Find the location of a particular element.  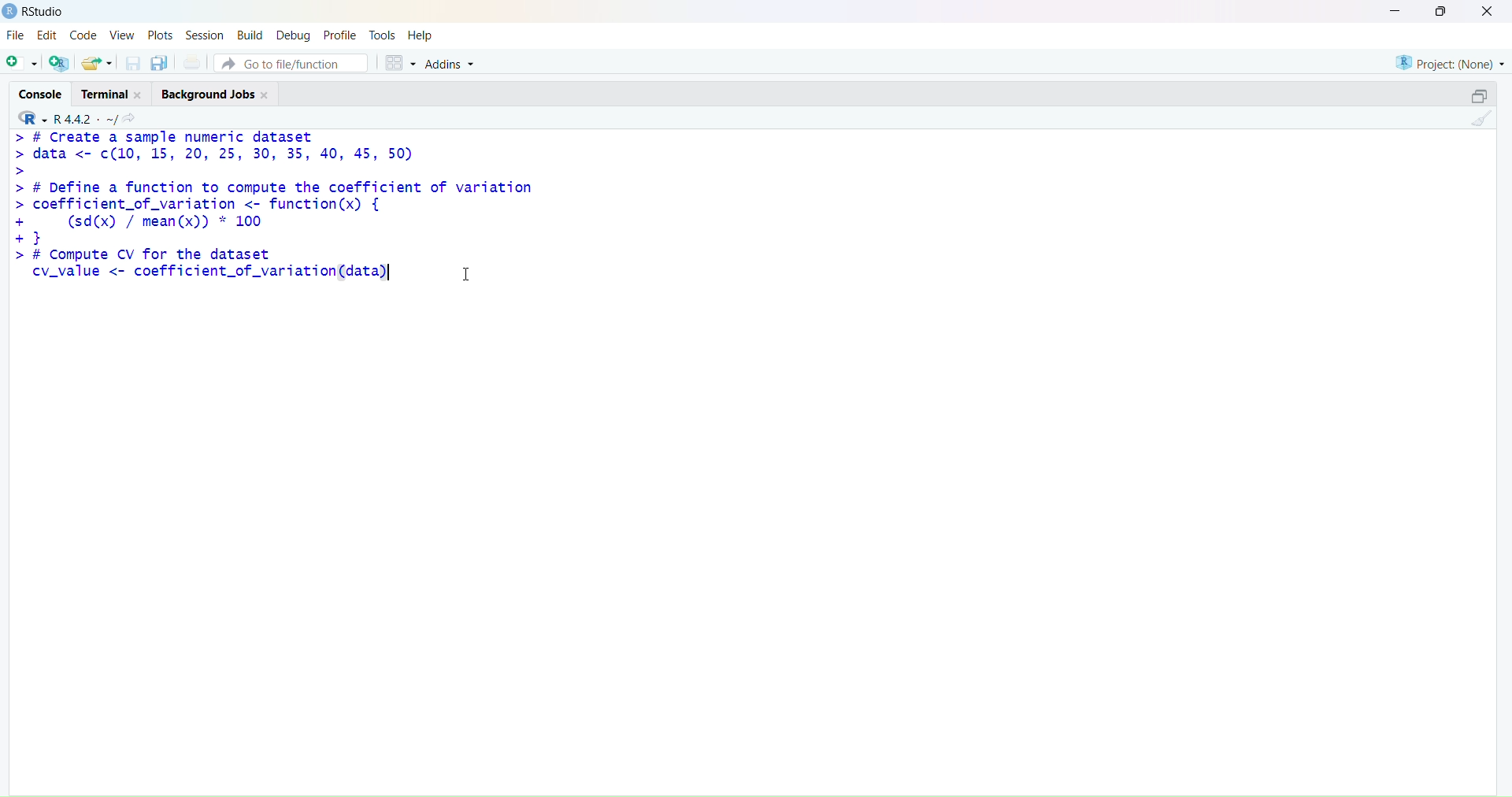

tools is located at coordinates (384, 34).